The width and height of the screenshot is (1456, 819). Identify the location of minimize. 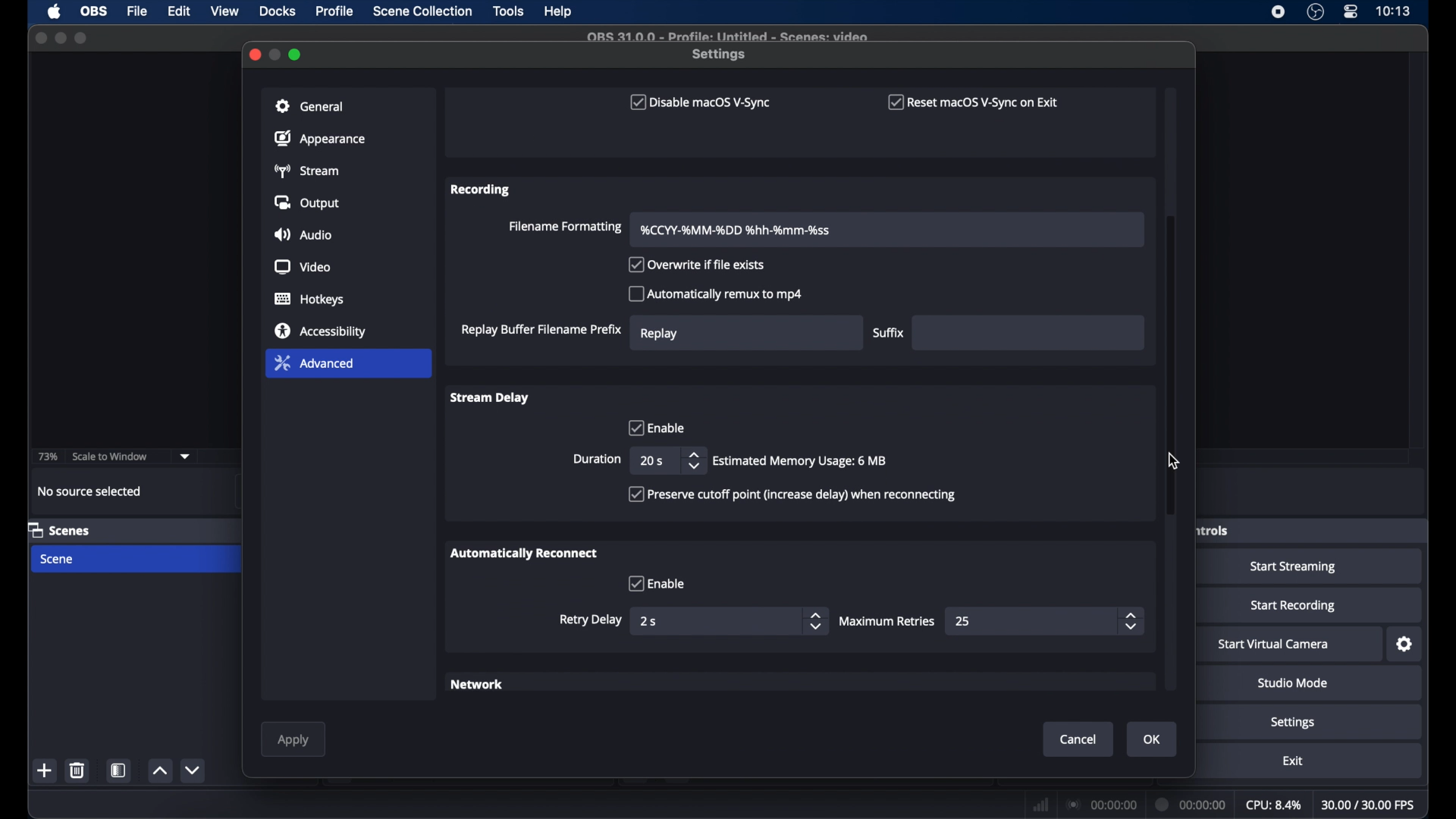
(276, 54).